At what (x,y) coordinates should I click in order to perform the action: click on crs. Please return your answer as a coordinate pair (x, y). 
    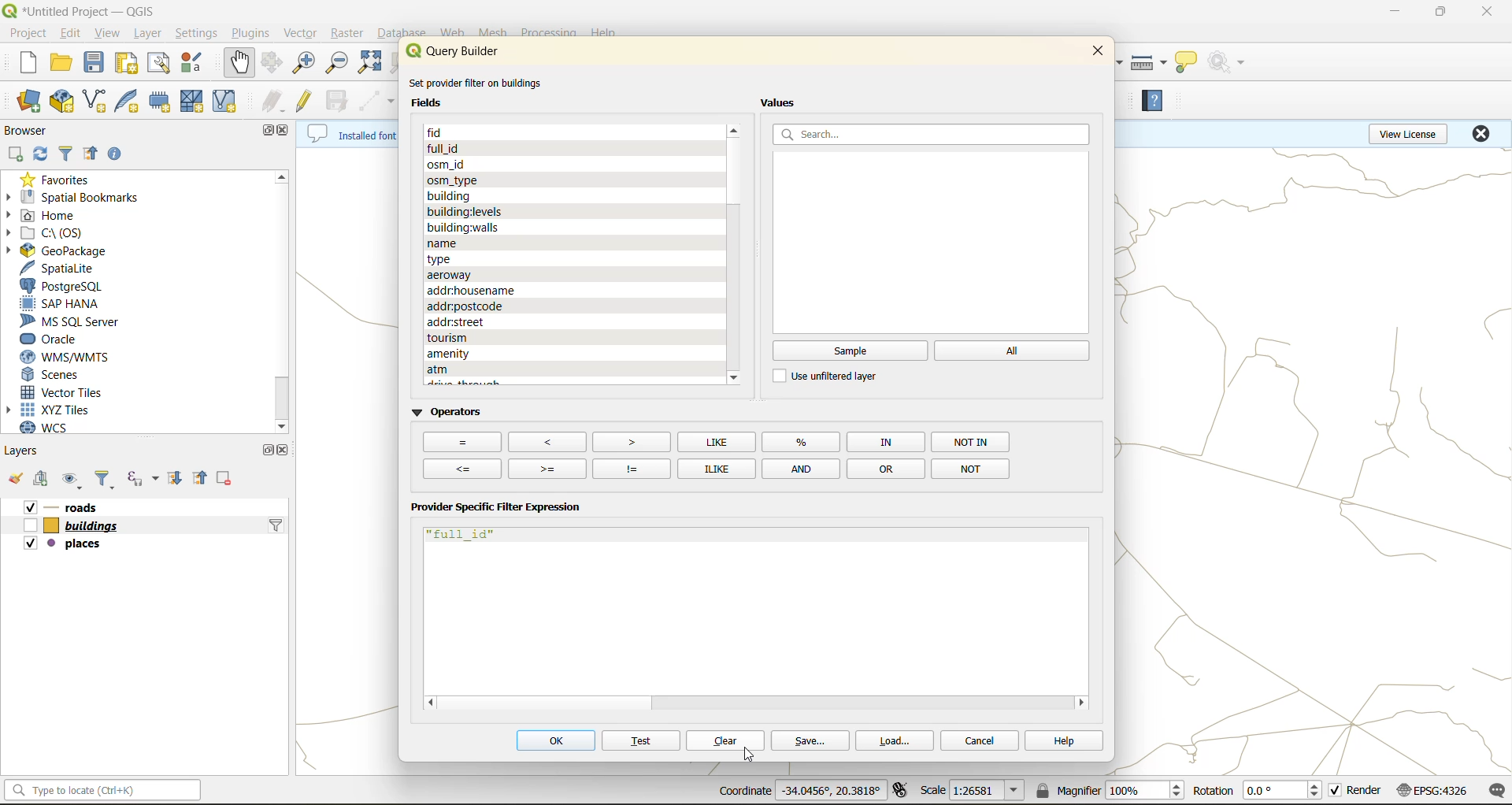
    Looking at the image, I should click on (1436, 792).